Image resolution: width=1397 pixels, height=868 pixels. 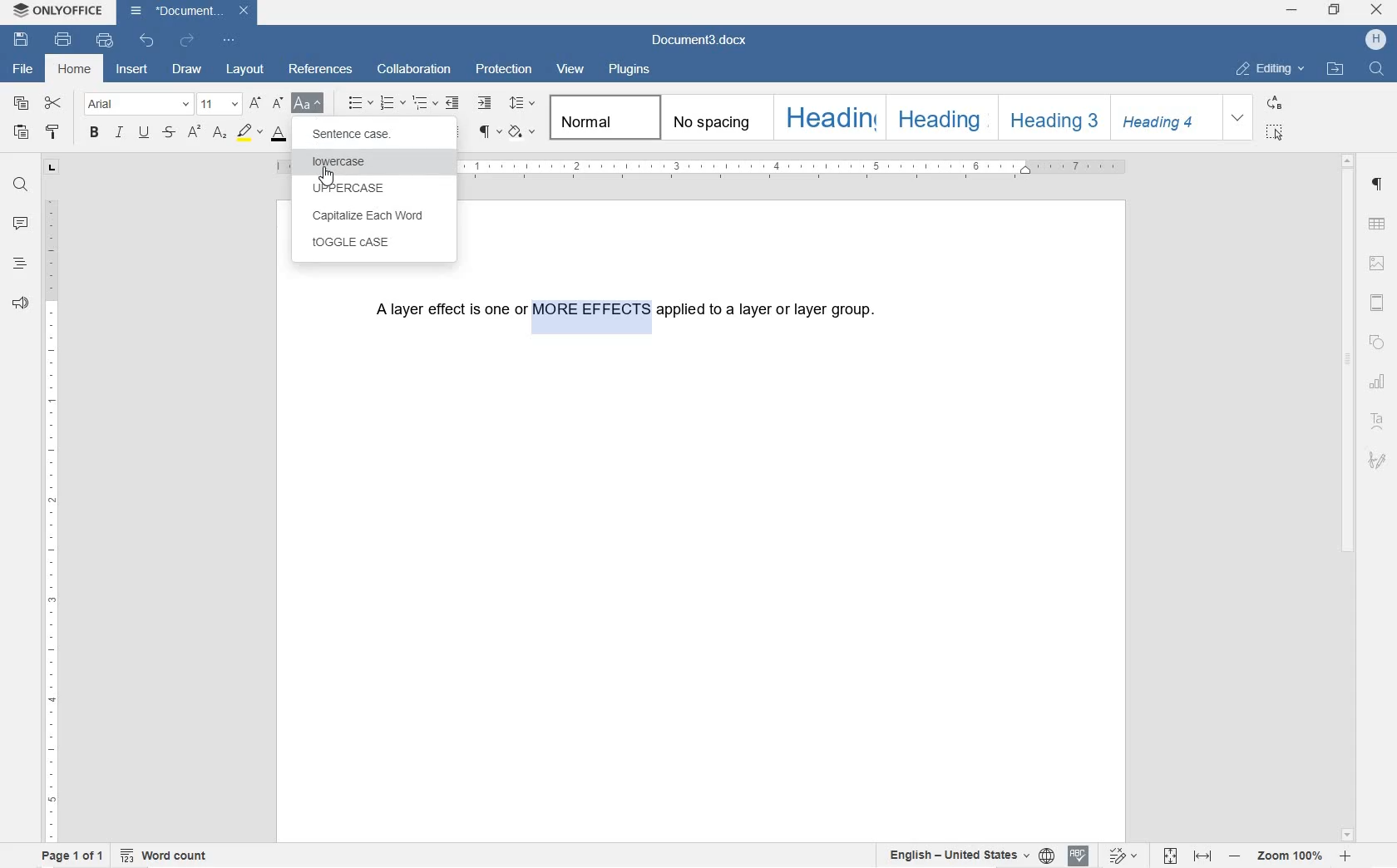 I want to click on PROTECTION, so click(x=504, y=70).